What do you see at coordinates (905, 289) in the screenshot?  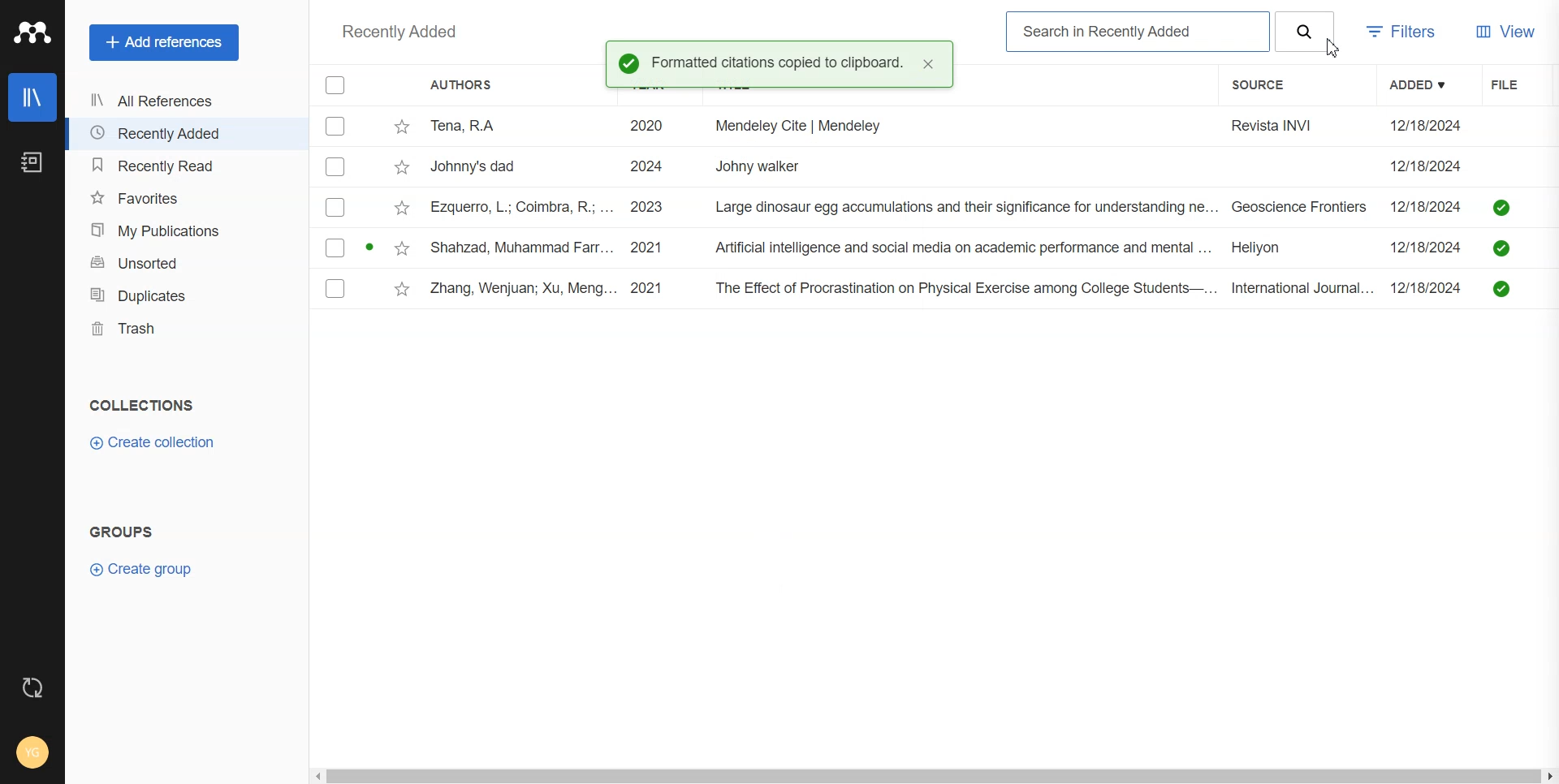 I see `Zhang, Wenjuan; Xu, Meng... 2021 The Effect of Procrastination on Physical Exercise among College Students—... International Journal...` at bounding box center [905, 289].